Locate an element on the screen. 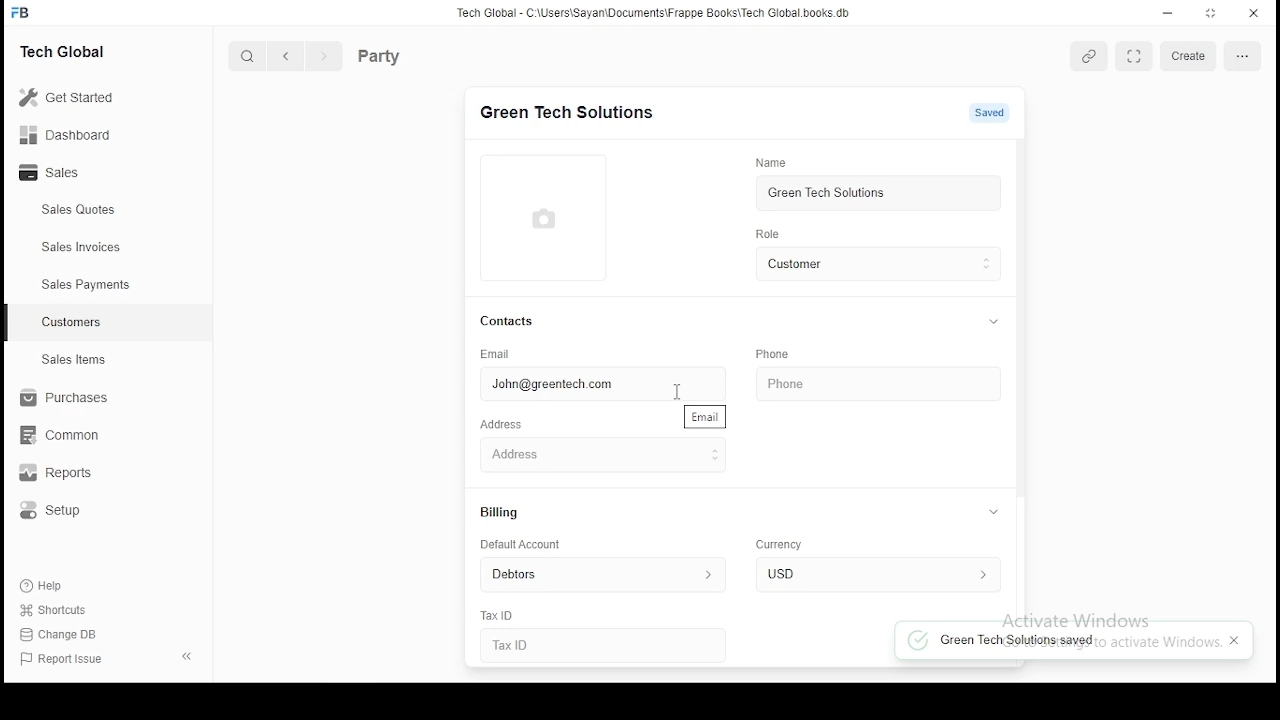 This screenshot has height=720, width=1280. sales quotes is located at coordinates (81, 210).